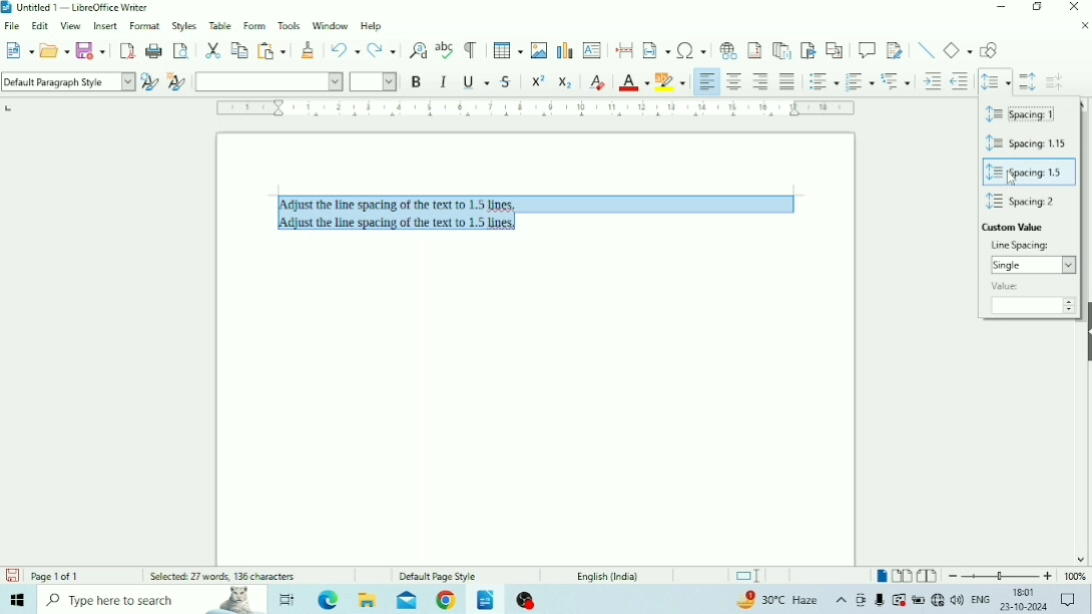  What do you see at coordinates (1067, 598) in the screenshot?
I see `Notifications` at bounding box center [1067, 598].